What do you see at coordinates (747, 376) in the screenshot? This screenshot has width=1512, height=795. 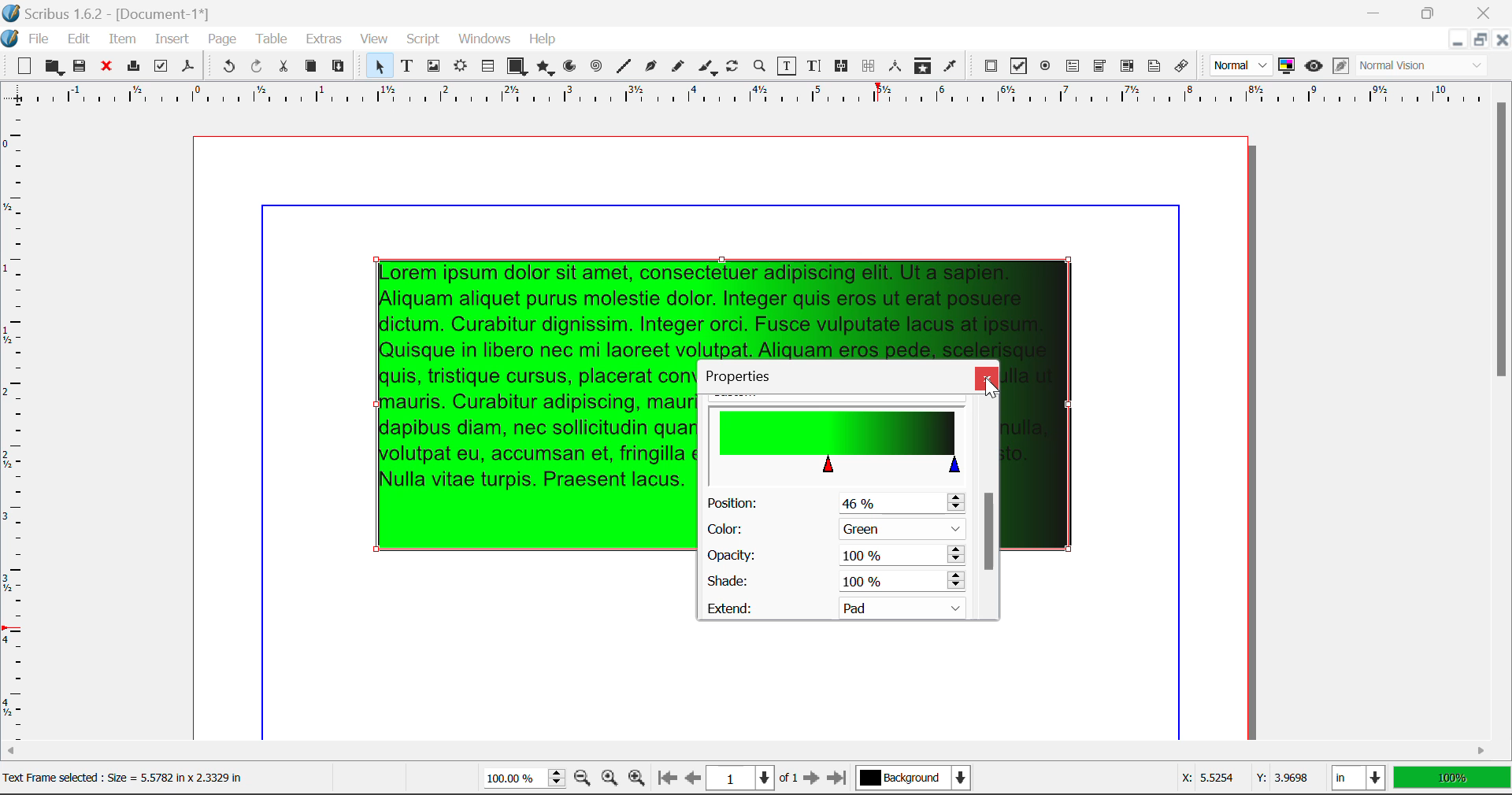 I see `Properties` at bounding box center [747, 376].